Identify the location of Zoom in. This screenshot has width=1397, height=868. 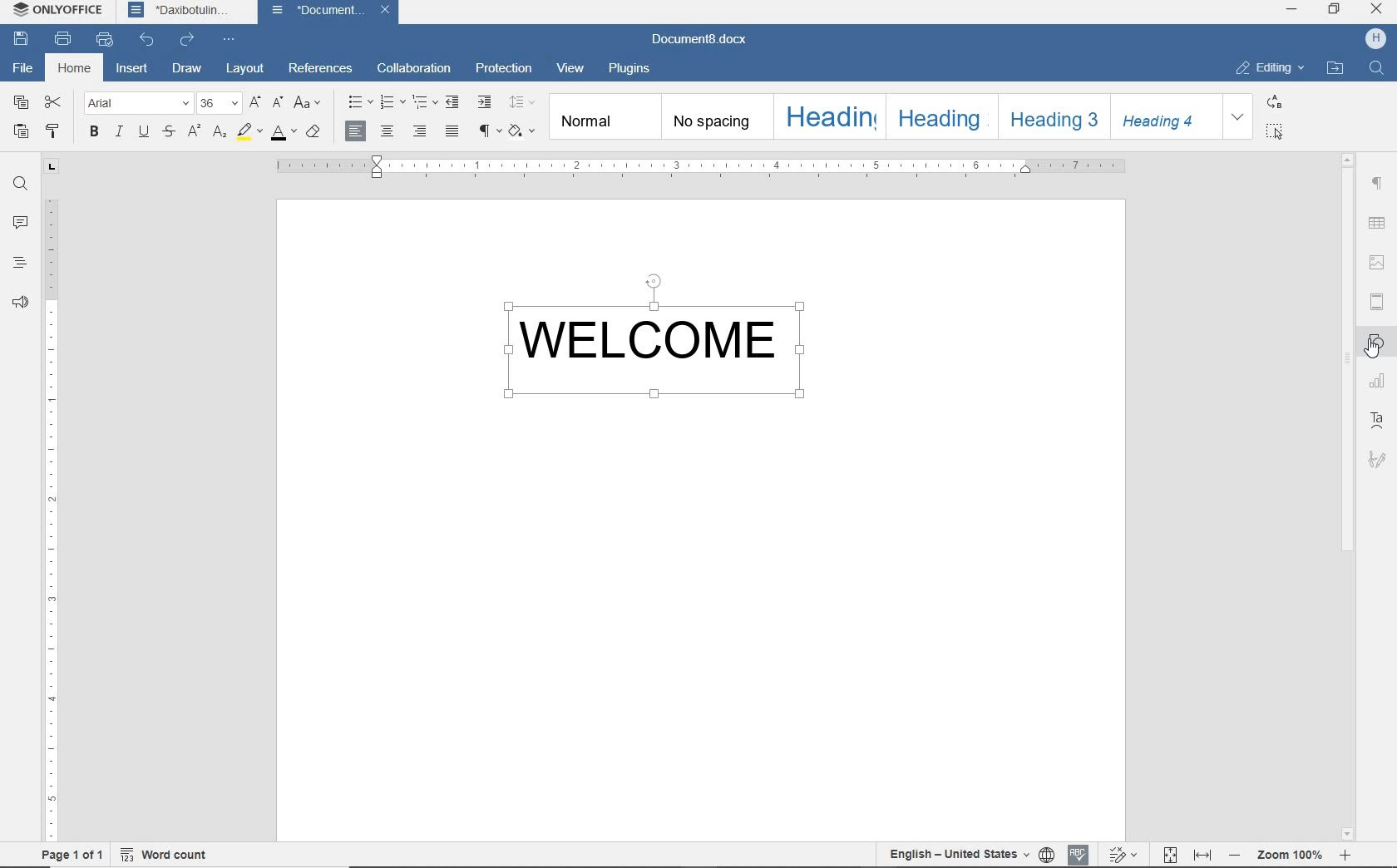
(1345, 855).